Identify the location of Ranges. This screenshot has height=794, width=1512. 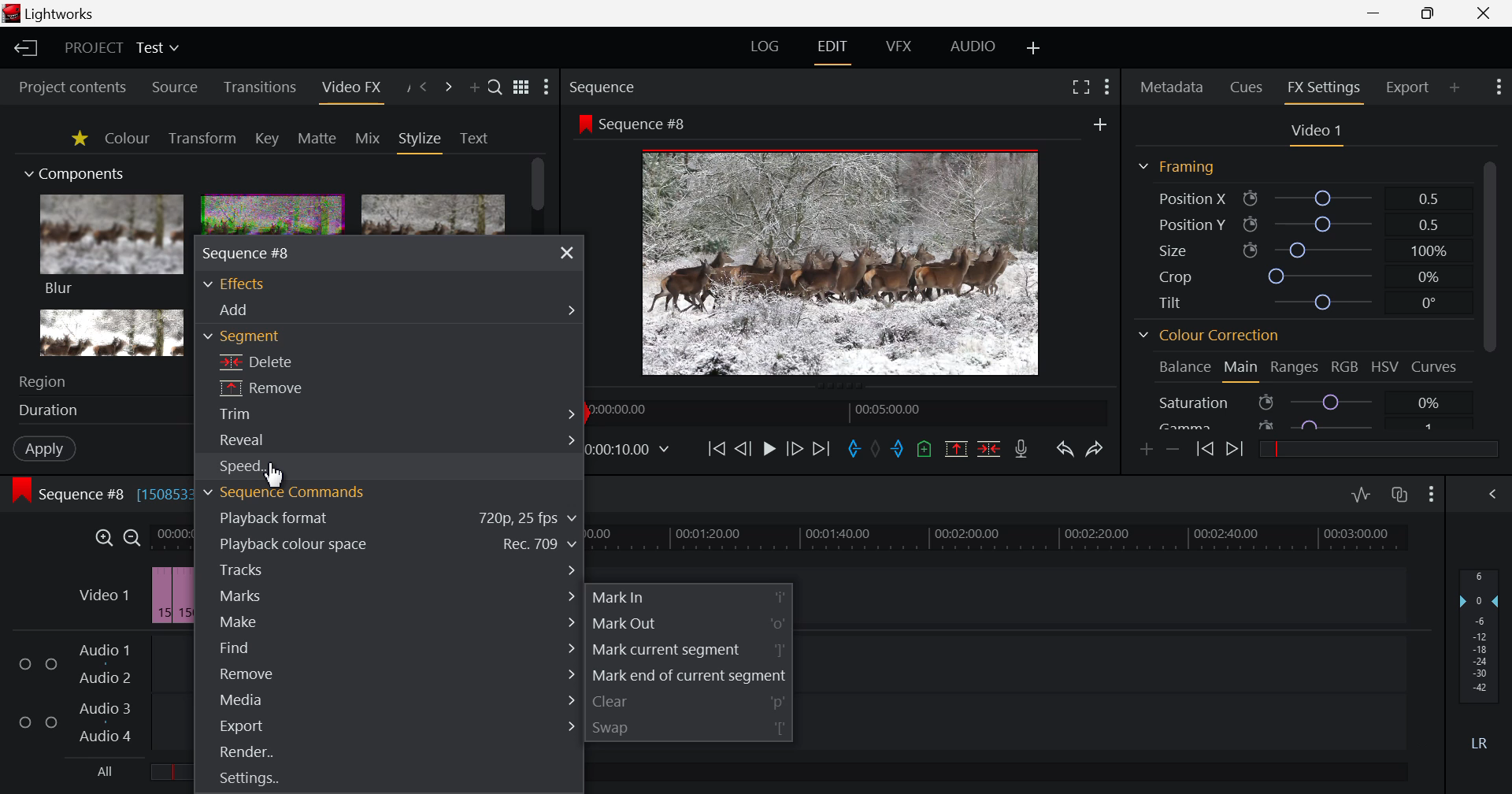
(1296, 368).